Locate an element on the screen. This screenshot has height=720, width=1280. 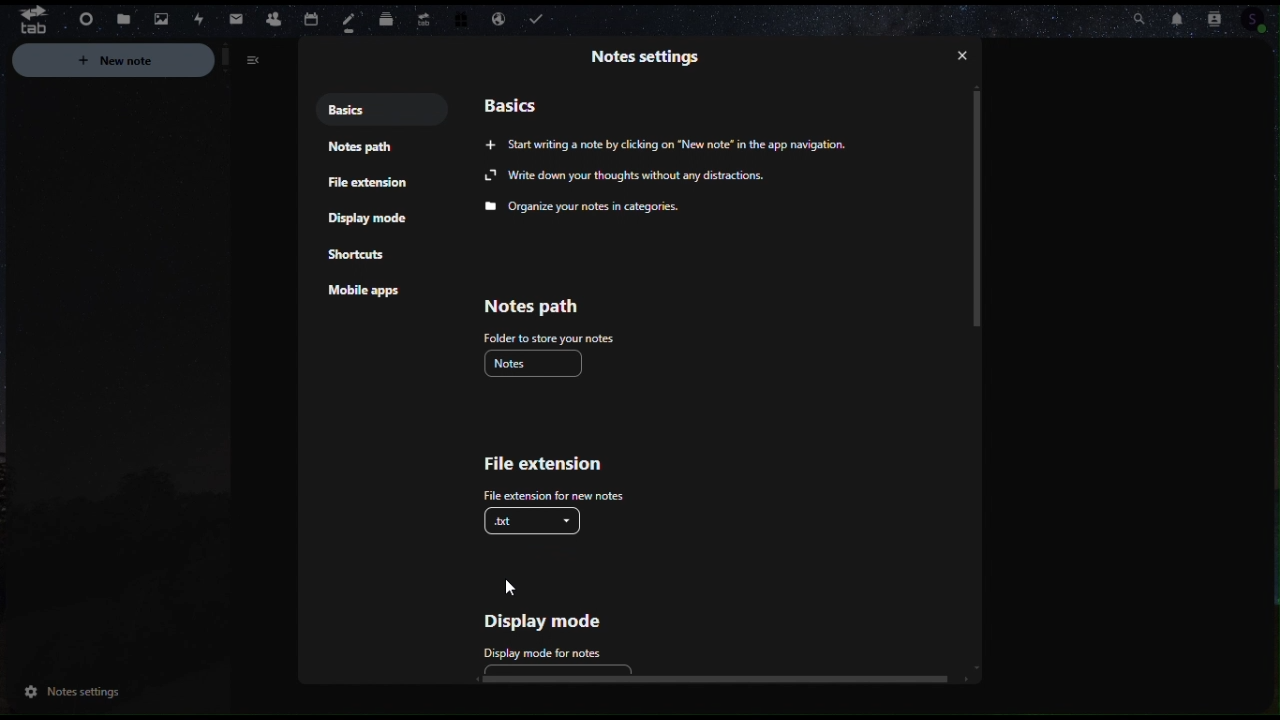
Note path is located at coordinates (363, 152).